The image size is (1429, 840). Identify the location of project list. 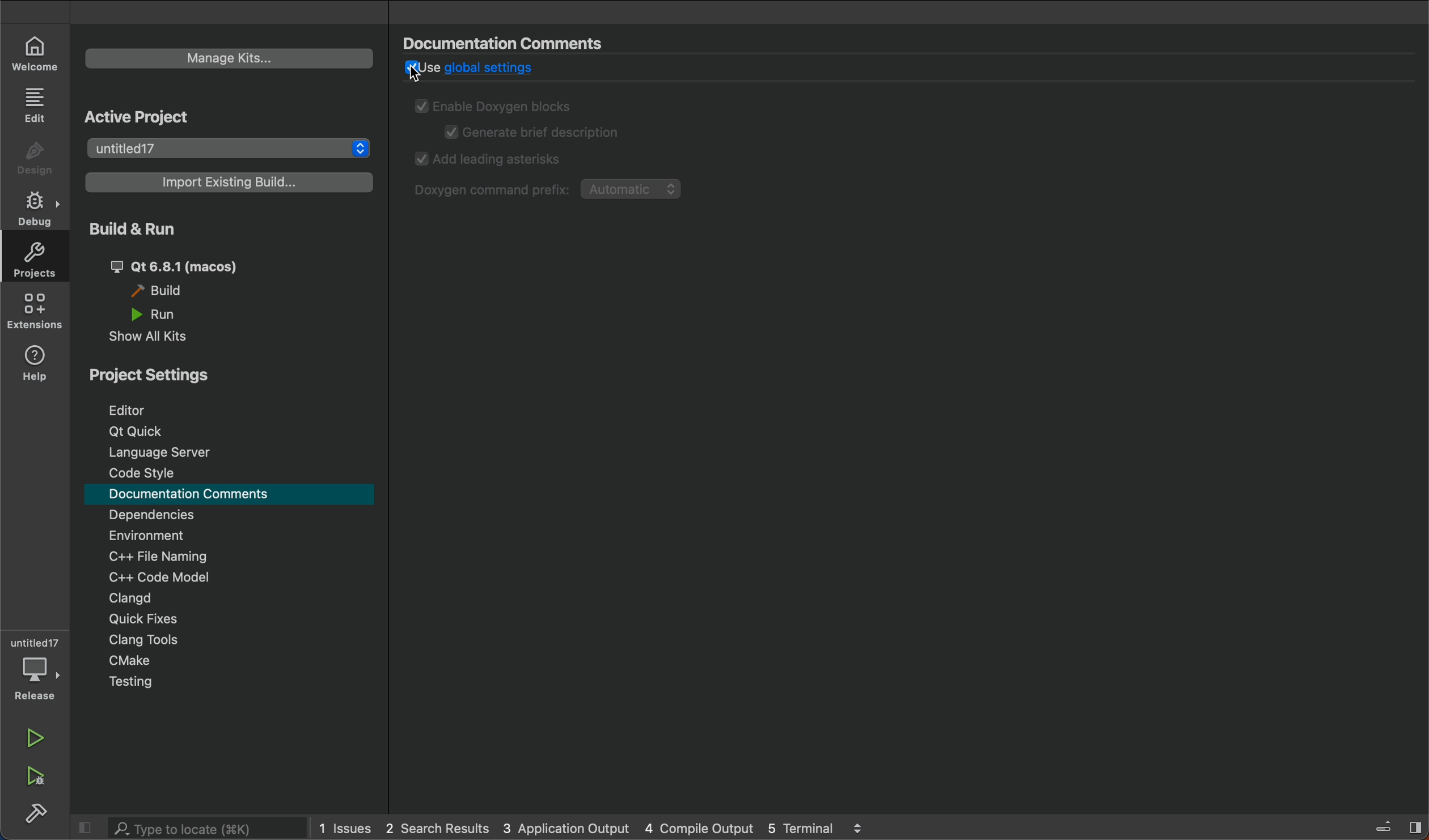
(228, 146).